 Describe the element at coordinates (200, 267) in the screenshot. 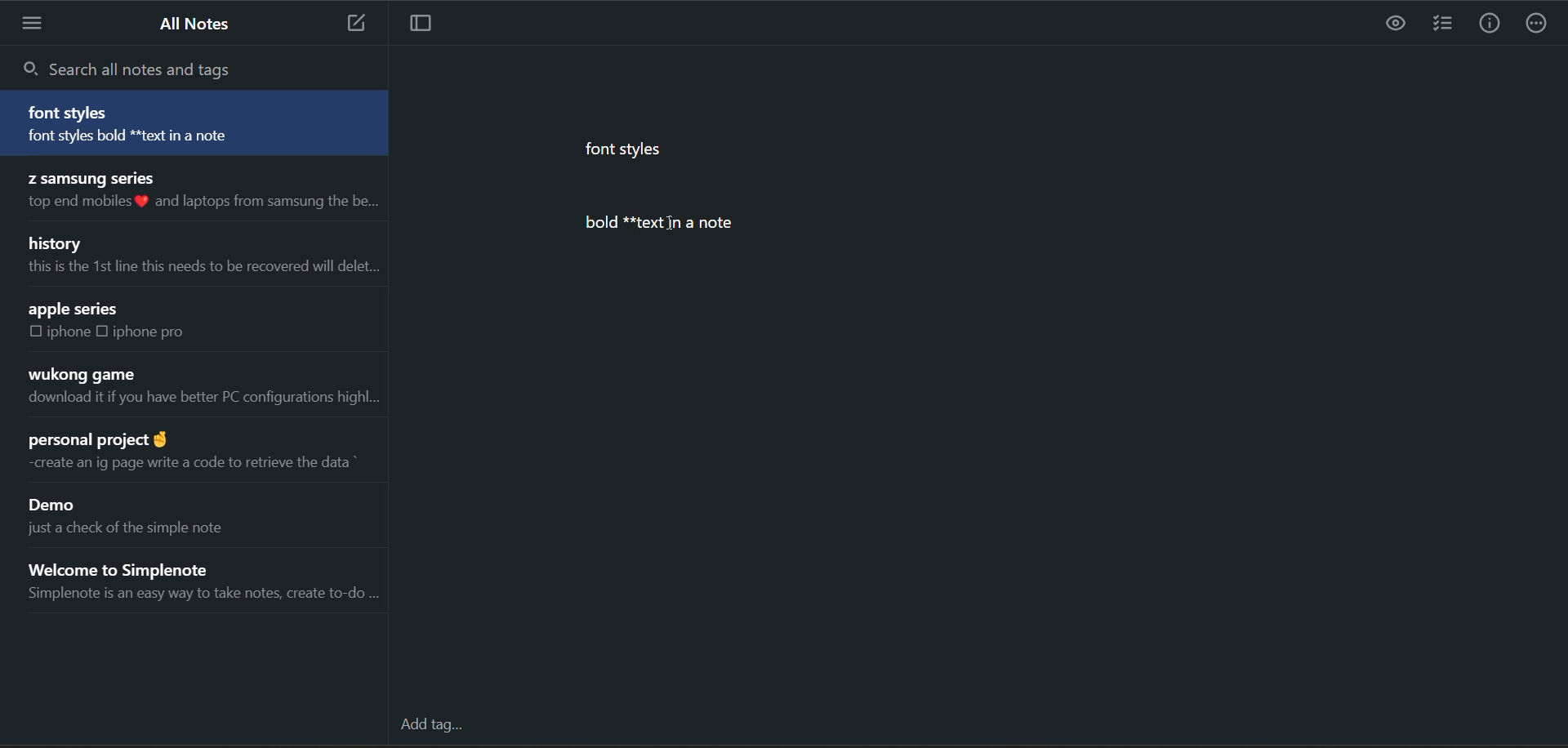

I see `this is the 1st line this needs to be recovered will delet...` at that location.